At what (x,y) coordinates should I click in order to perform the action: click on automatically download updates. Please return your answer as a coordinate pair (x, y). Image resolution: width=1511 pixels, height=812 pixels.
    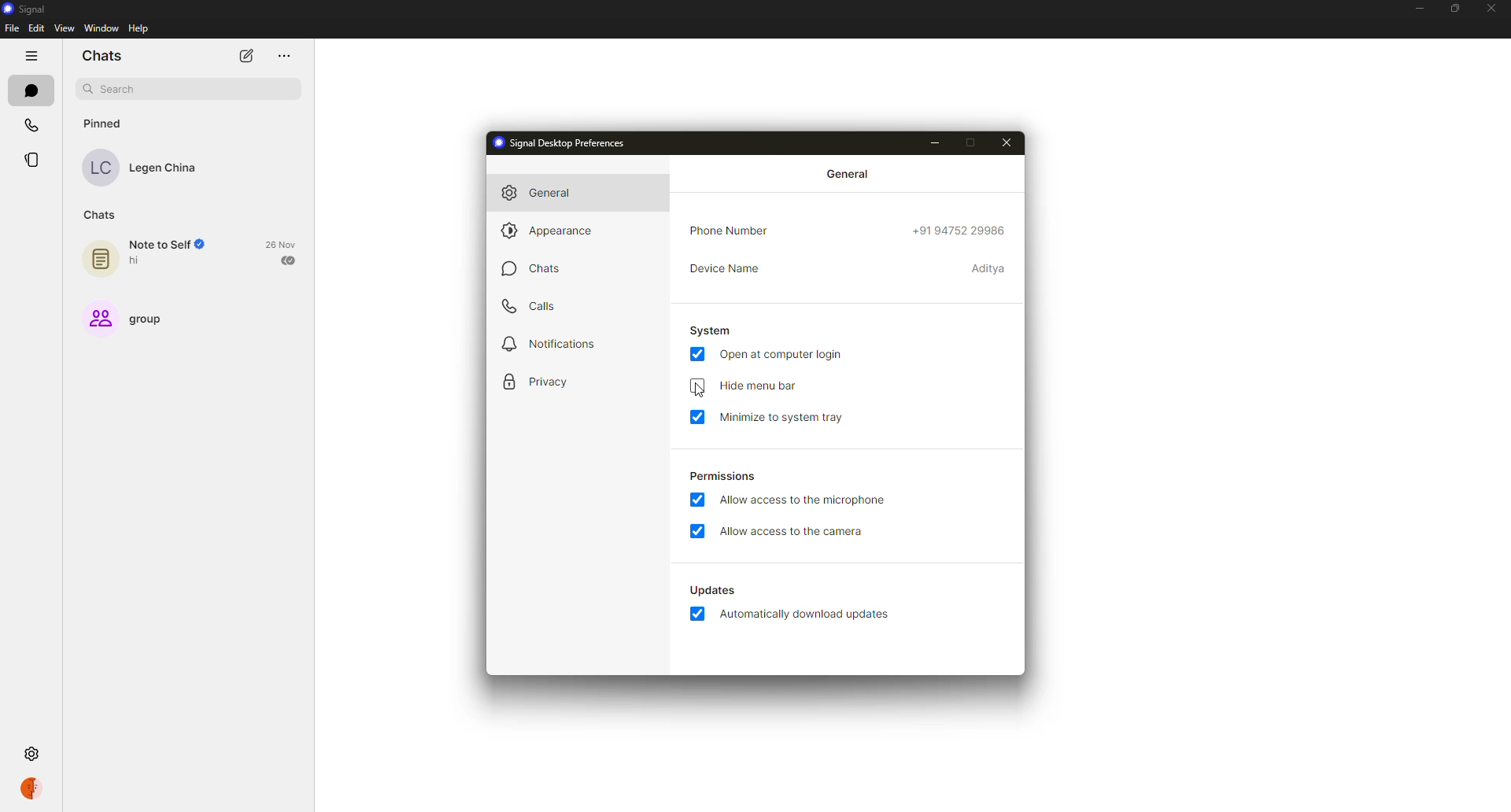
    Looking at the image, I should click on (807, 615).